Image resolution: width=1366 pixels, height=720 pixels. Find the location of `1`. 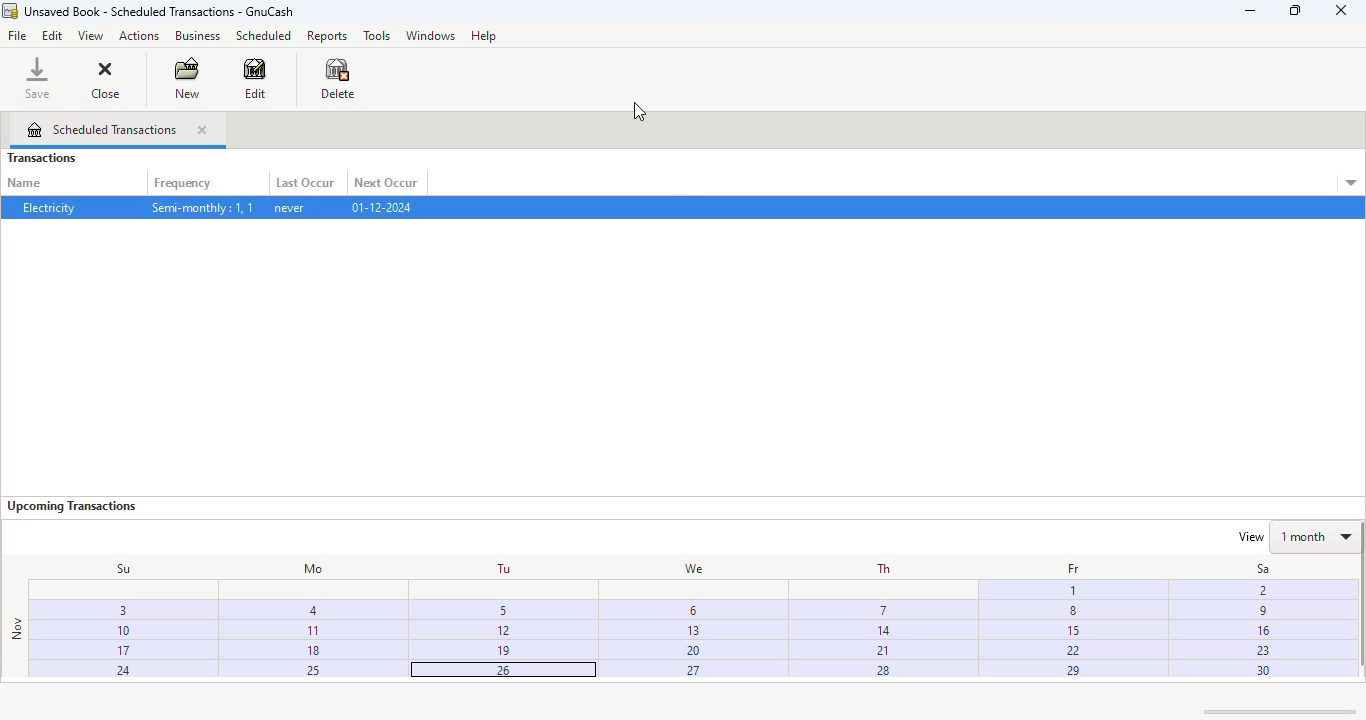

1 is located at coordinates (1071, 591).